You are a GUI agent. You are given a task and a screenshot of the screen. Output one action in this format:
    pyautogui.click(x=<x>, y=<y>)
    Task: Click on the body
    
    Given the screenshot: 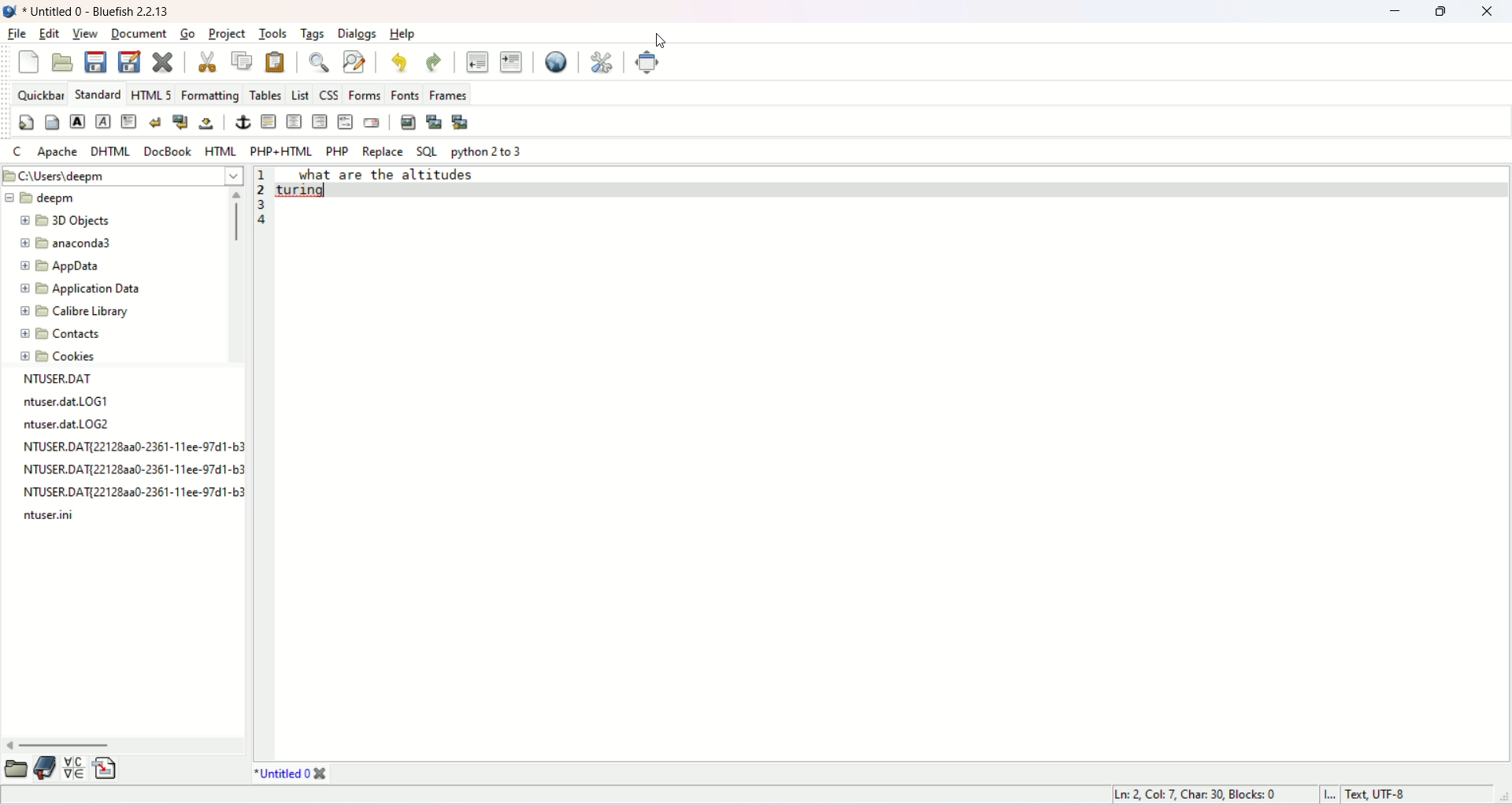 What is the action you would take?
    pyautogui.click(x=50, y=124)
    